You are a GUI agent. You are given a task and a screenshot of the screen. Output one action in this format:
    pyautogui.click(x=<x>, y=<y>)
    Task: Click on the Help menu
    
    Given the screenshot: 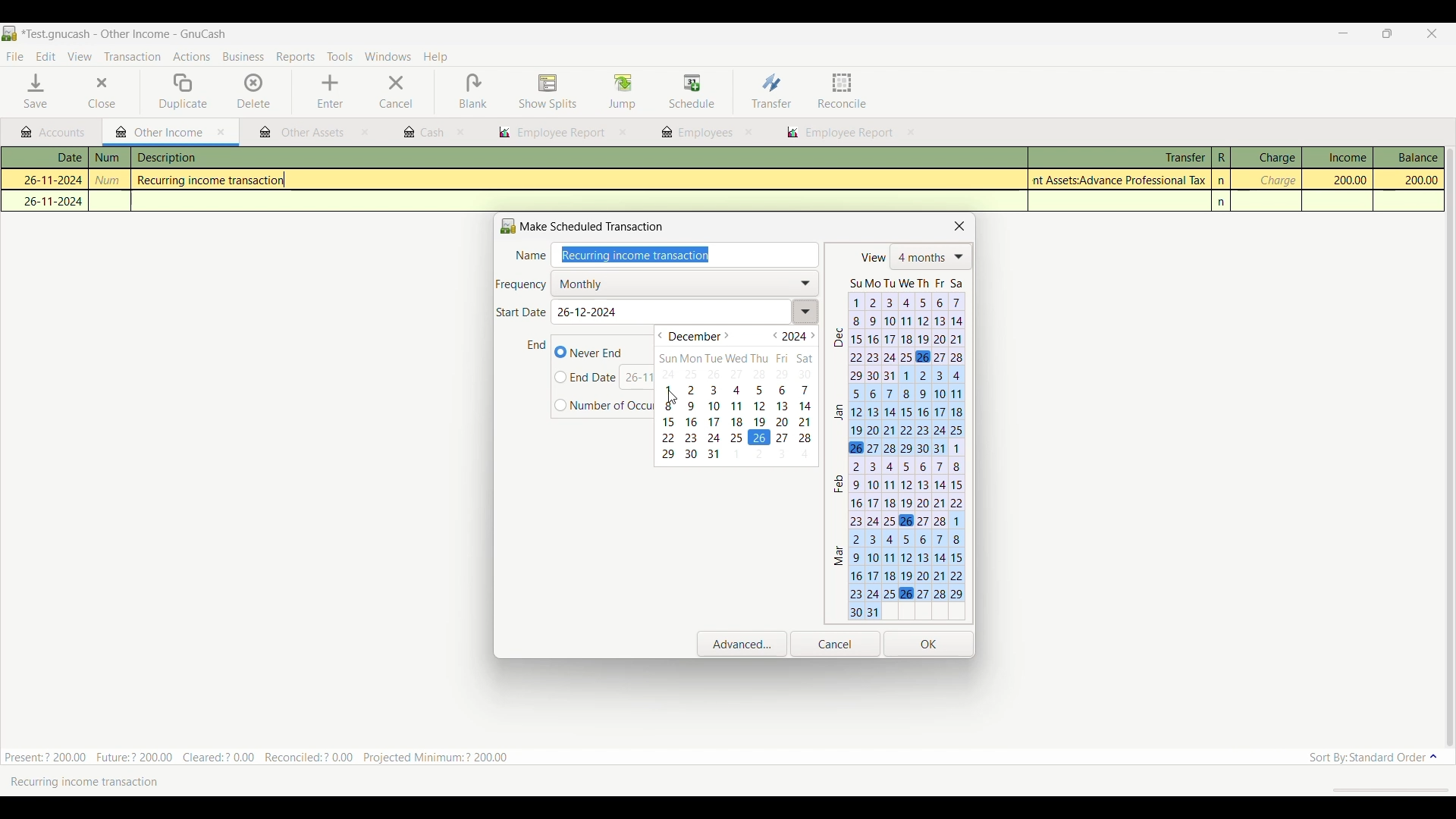 What is the action you would take?
    pyautogui.click(x=436, y=58)
    